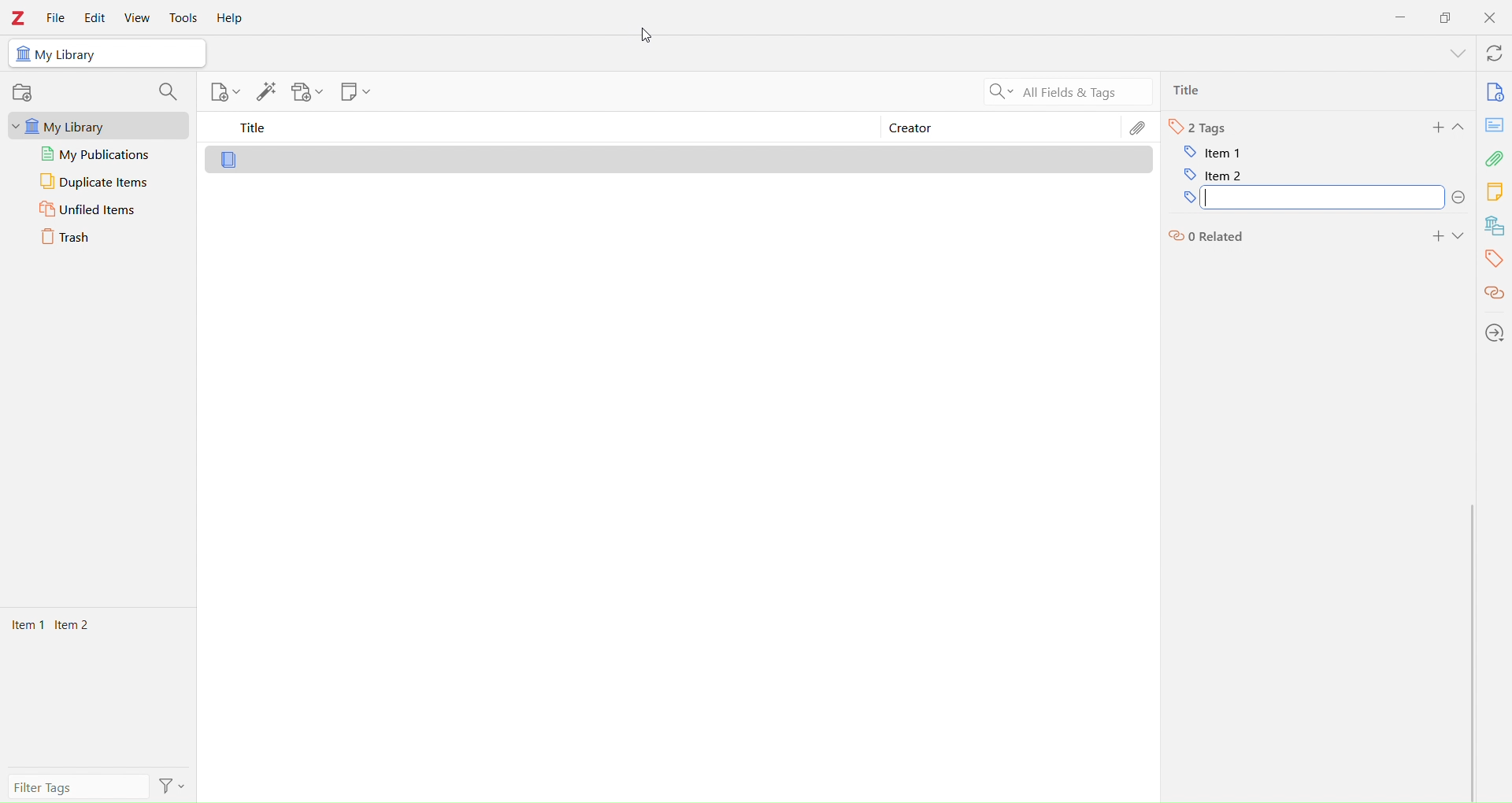  I want to click on Library, so click(446, 158).